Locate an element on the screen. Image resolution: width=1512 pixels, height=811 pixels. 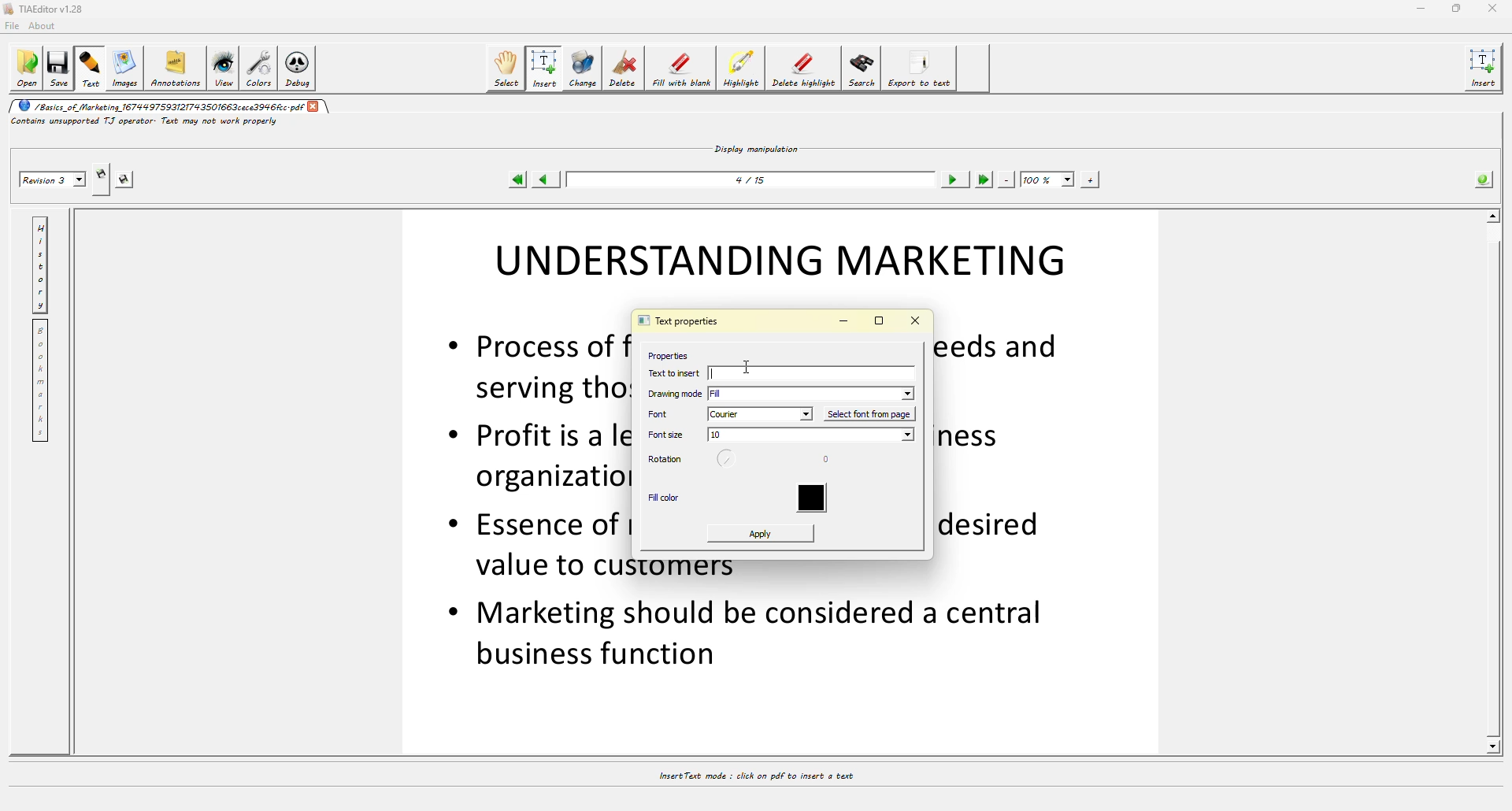
fill color is located at coordinates (665, 499).